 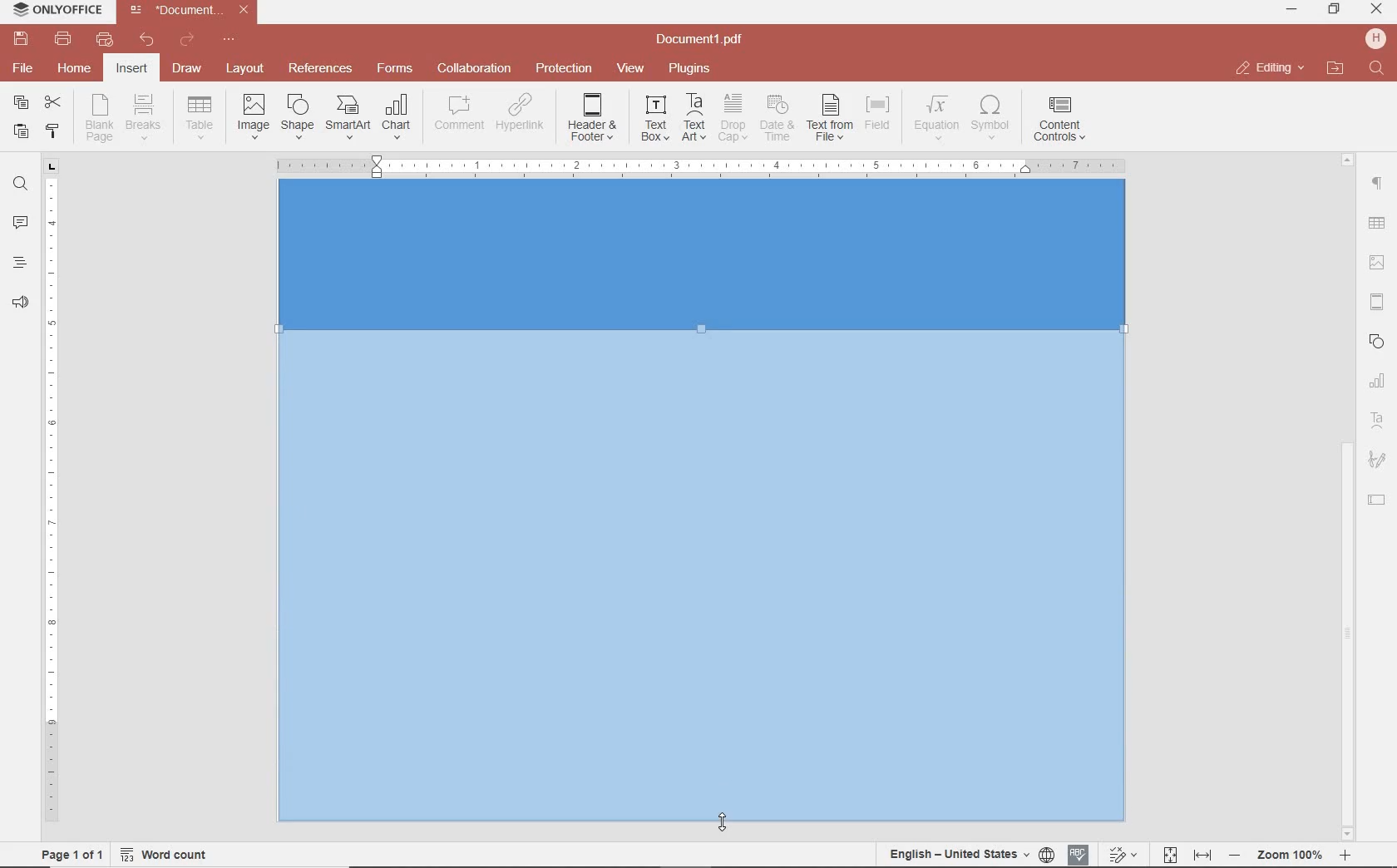 I want to click on paragraph setting, so click(x=1378, y=181).